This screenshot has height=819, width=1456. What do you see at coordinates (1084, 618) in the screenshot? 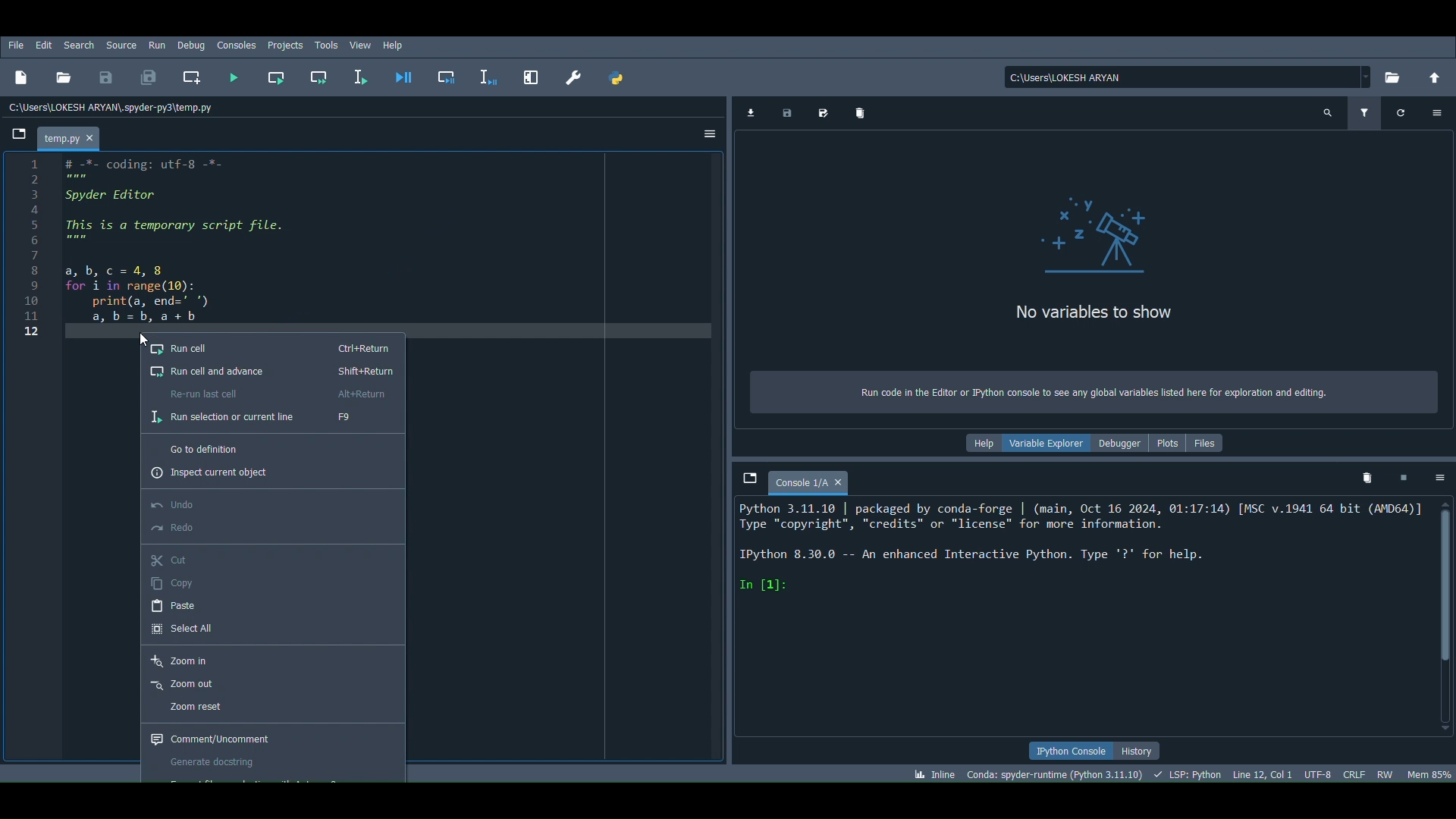
I see `Console editor` at bounding box center [1084, 618].